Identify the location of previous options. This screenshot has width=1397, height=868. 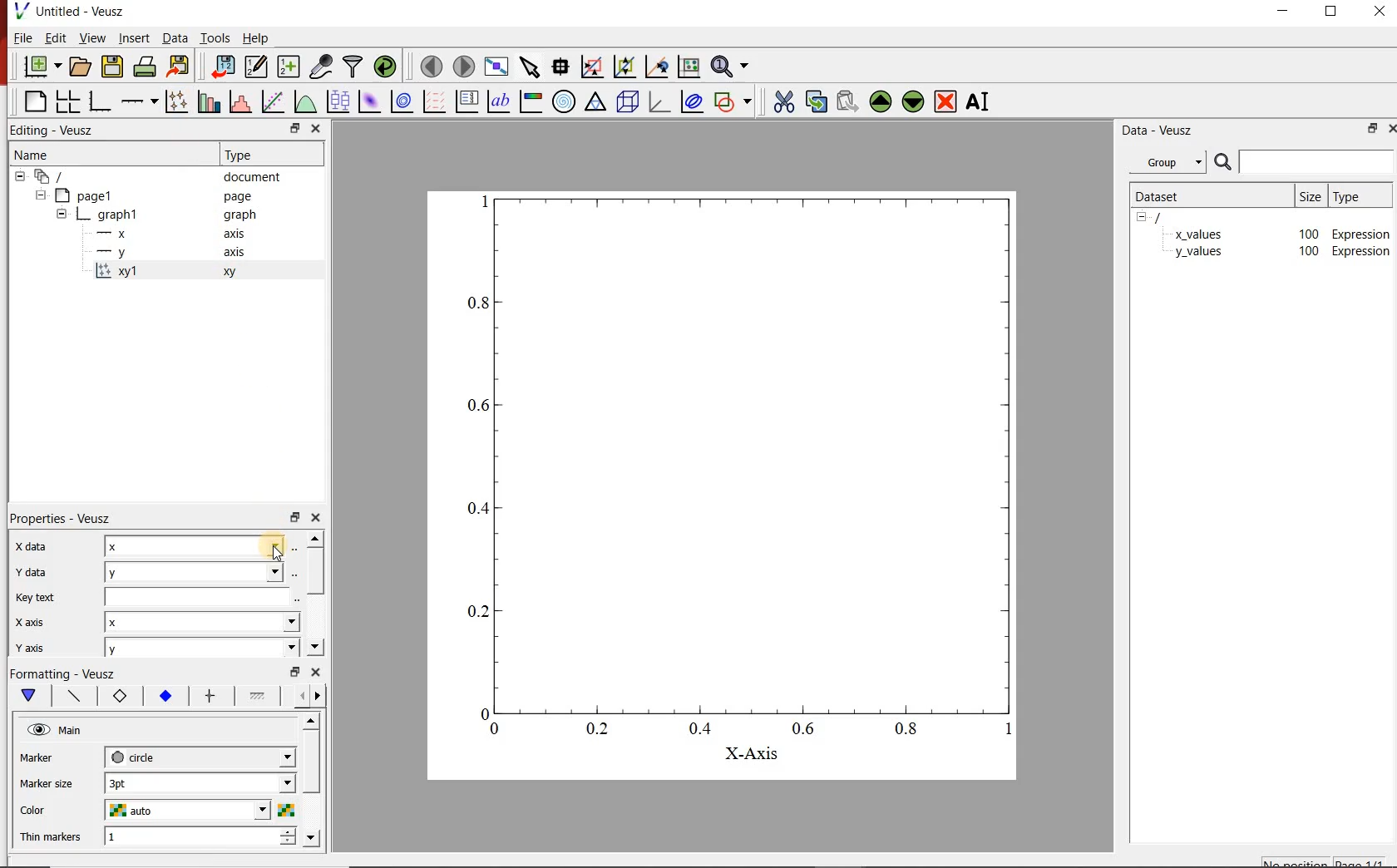
(299, 697).